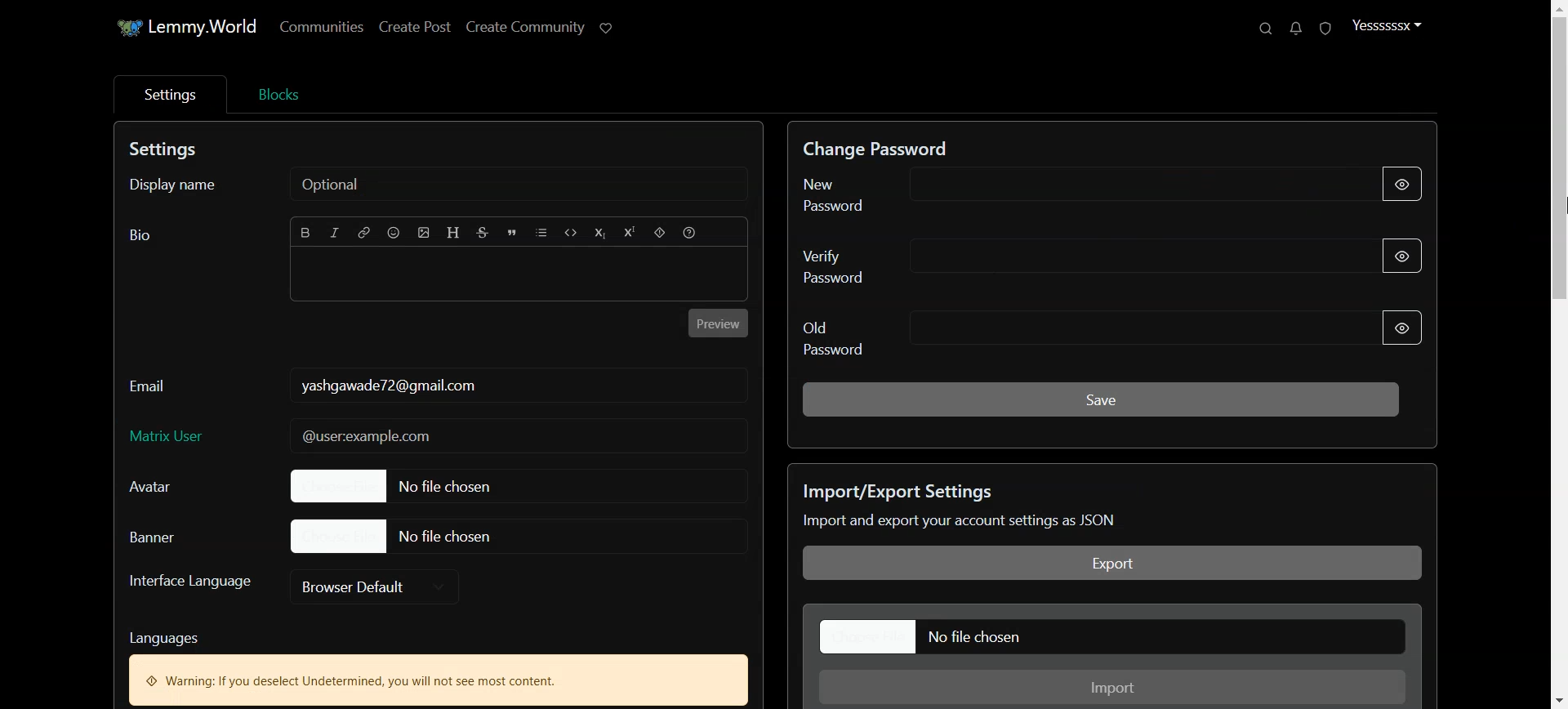 The image size is (1568, 709). I want to click on Header, so click(452, 232).